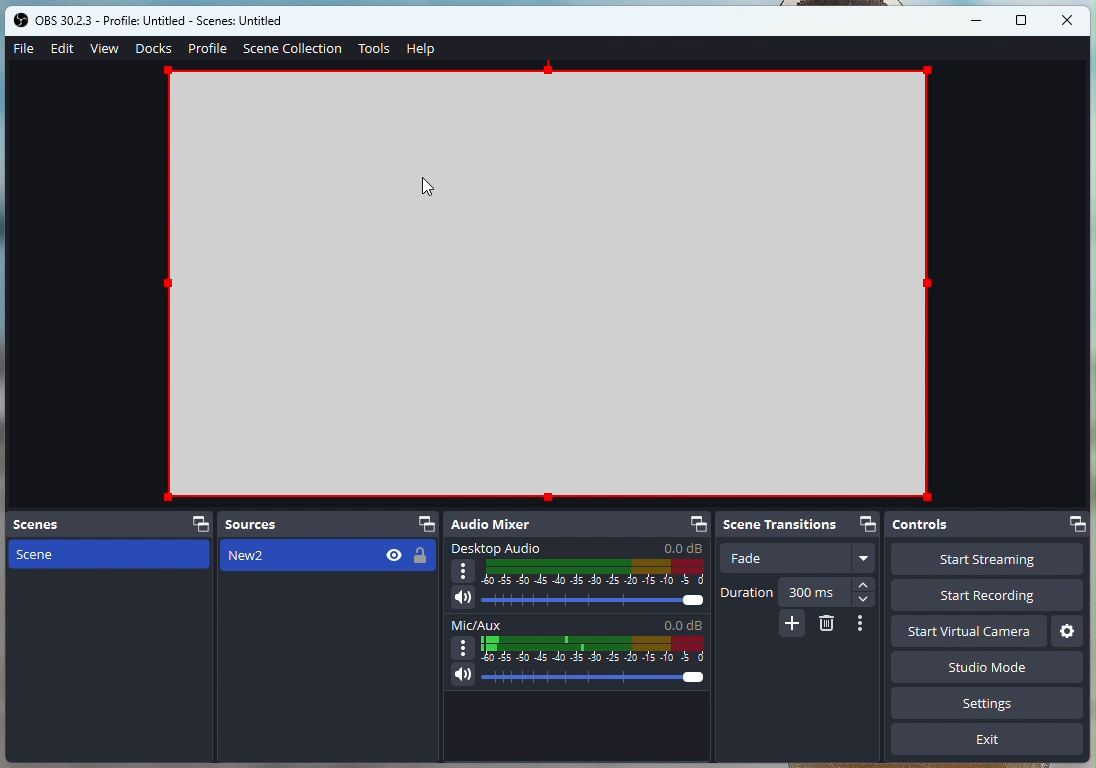  I want to click on Scenes, so click(109, 524).